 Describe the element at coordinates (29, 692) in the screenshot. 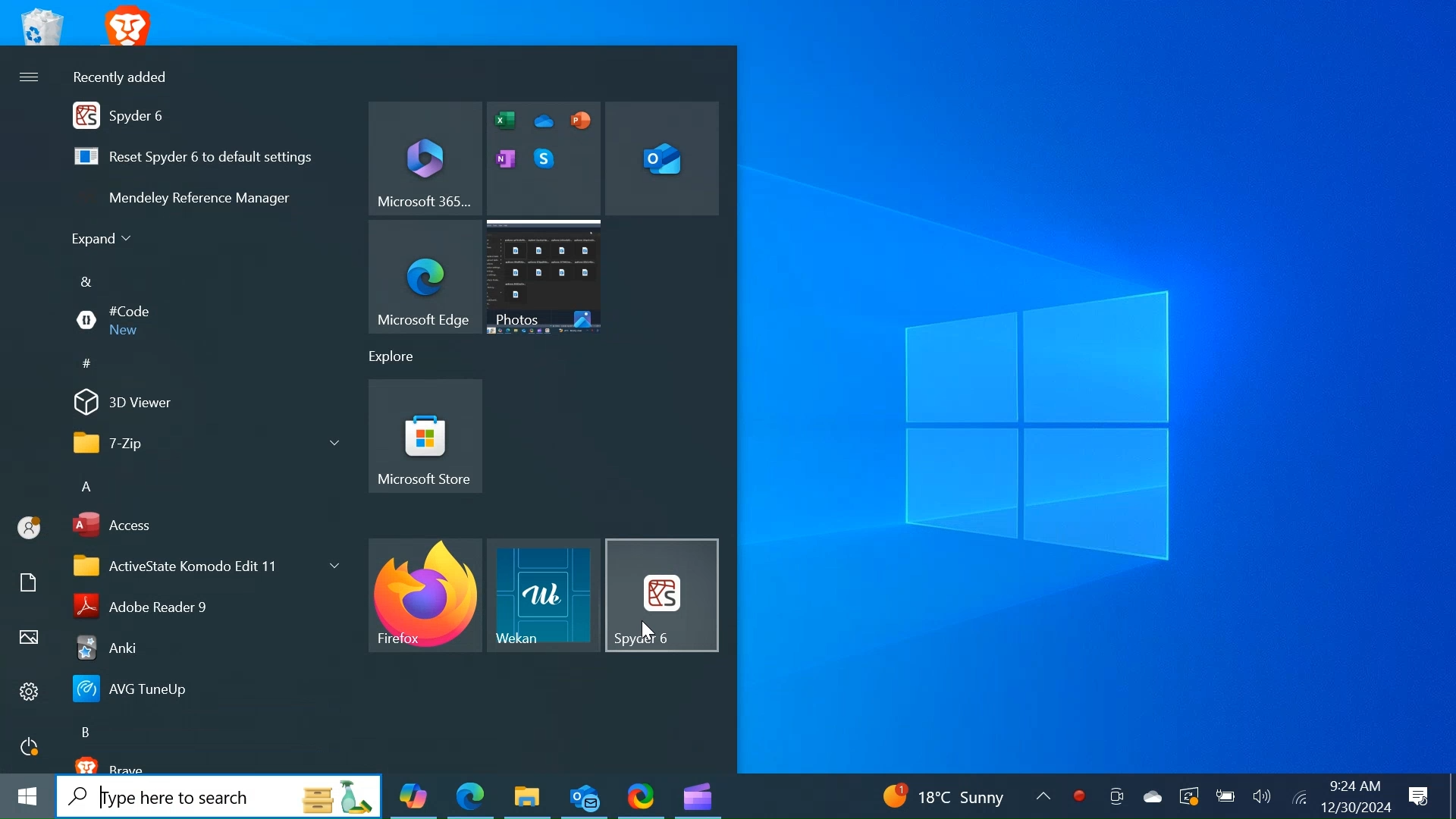

I see `Settings` at that location.